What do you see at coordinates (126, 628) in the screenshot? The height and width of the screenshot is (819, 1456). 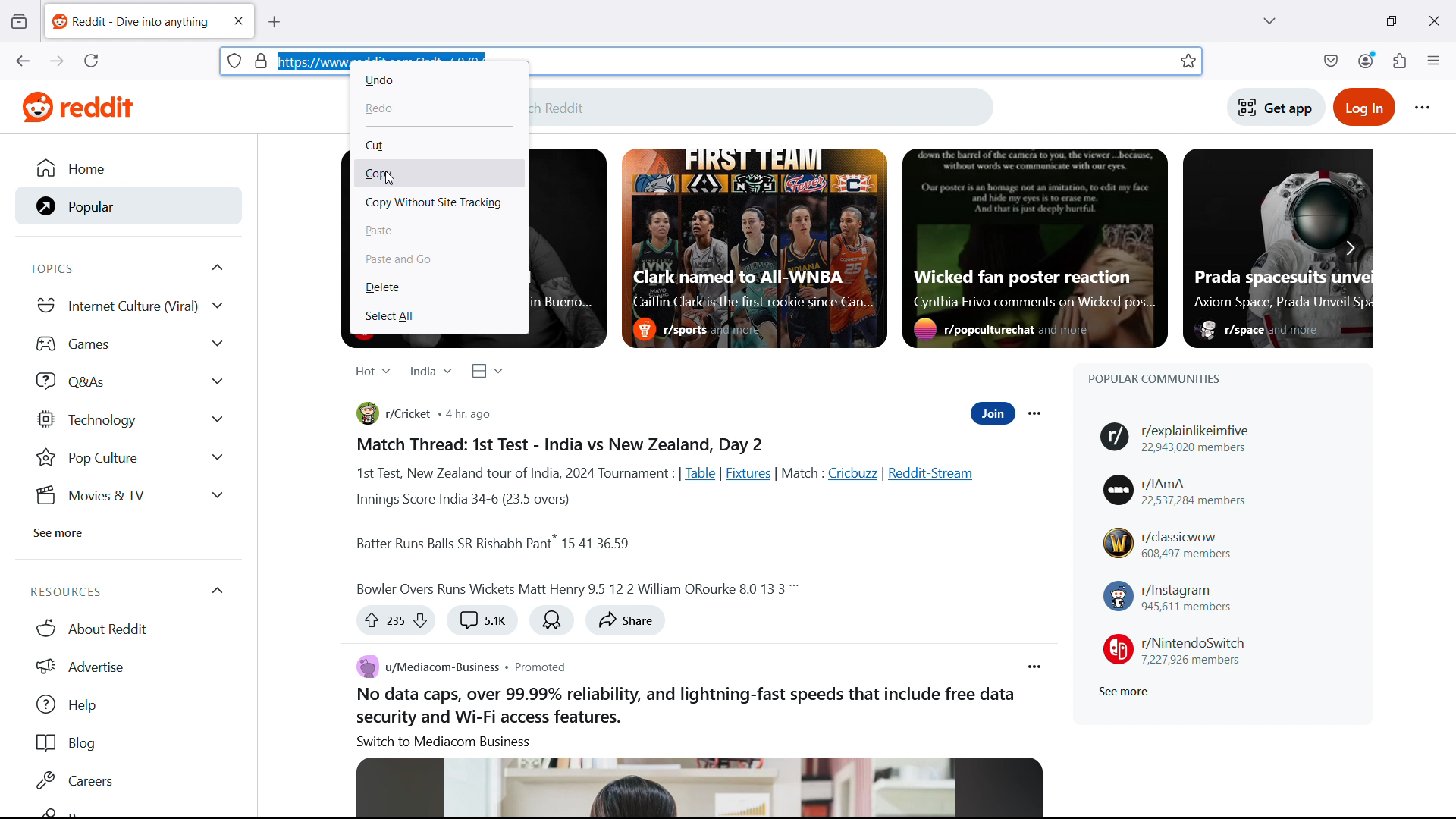 I see `About Reddit` at bounding box center [126, 628].